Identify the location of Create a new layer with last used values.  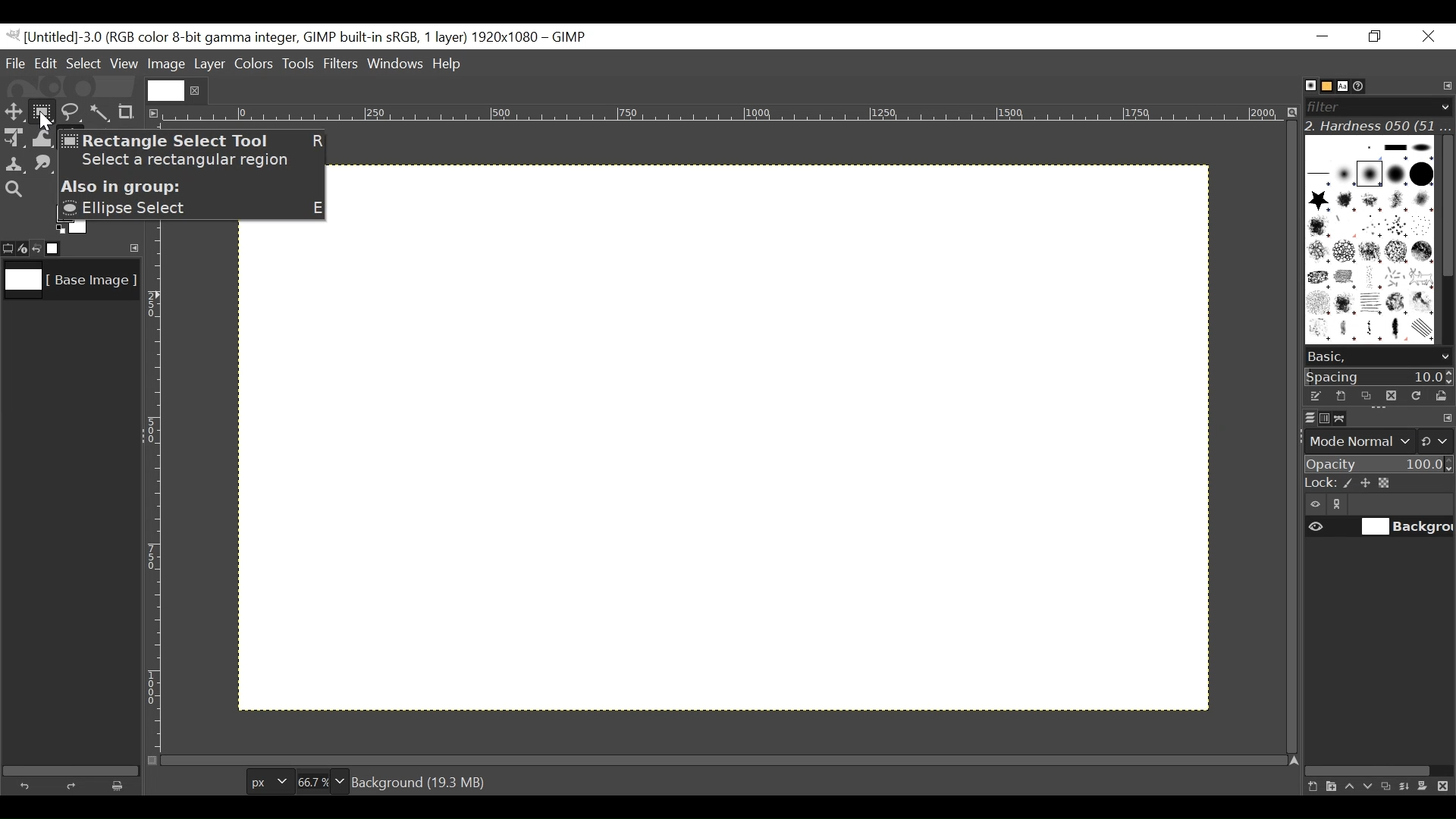
(1310, 787).